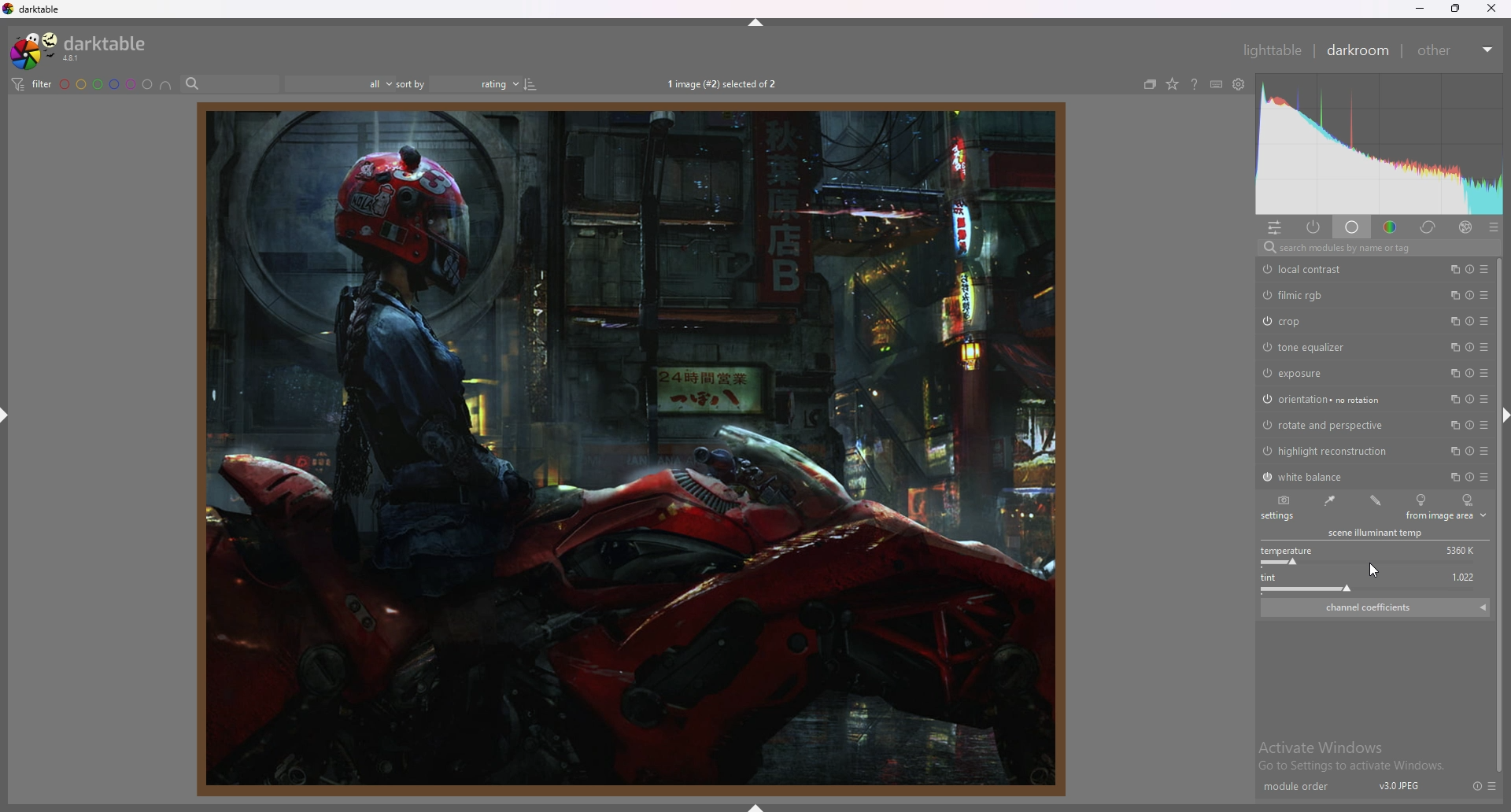 The height and width of the screenshot is (812, 1511). Describe the element at coordinates (31, 84) in the screenshot. I see `filter` at that location.